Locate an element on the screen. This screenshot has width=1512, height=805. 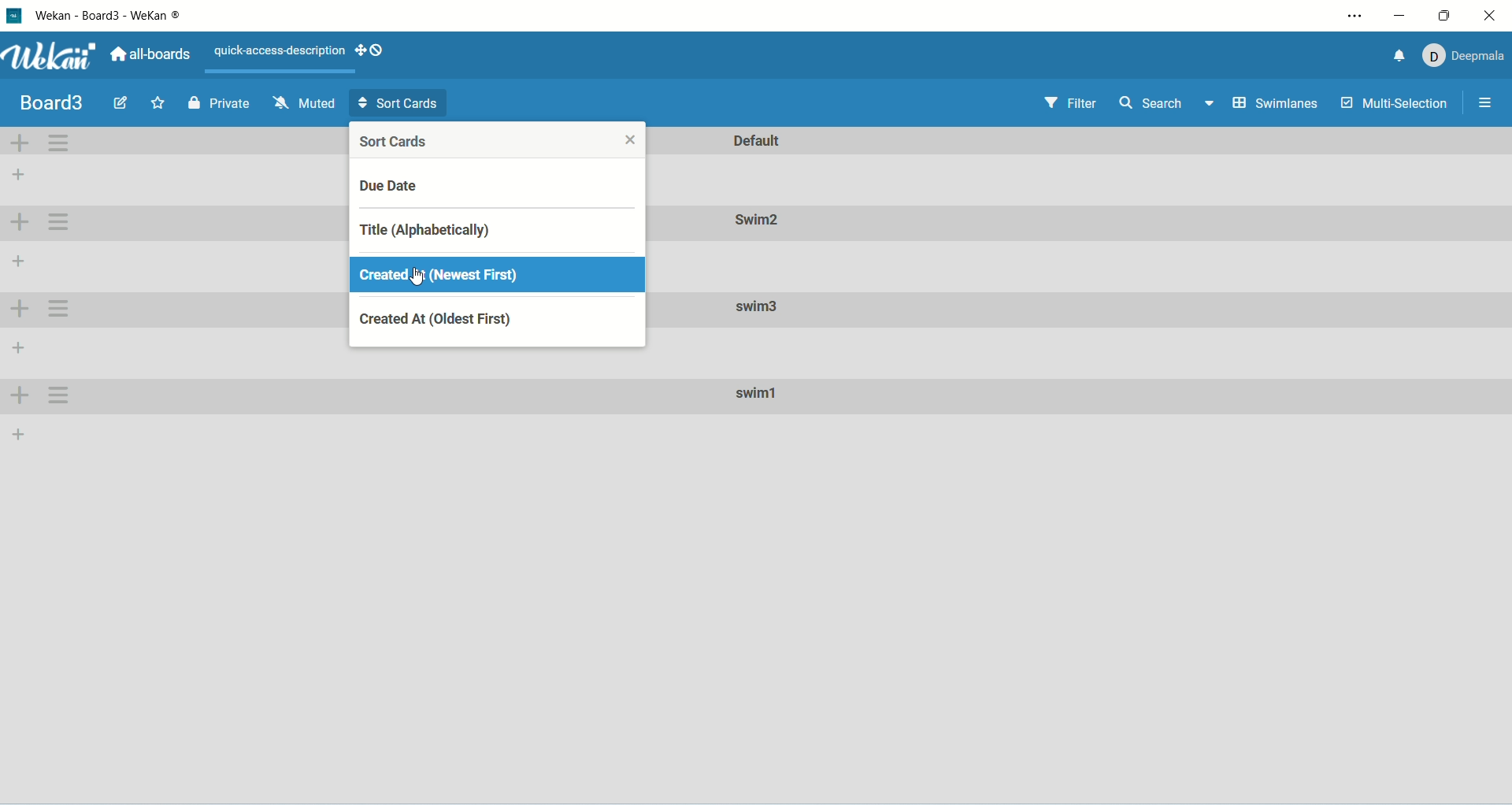
settings and more is located at coordinates (1354, 16).